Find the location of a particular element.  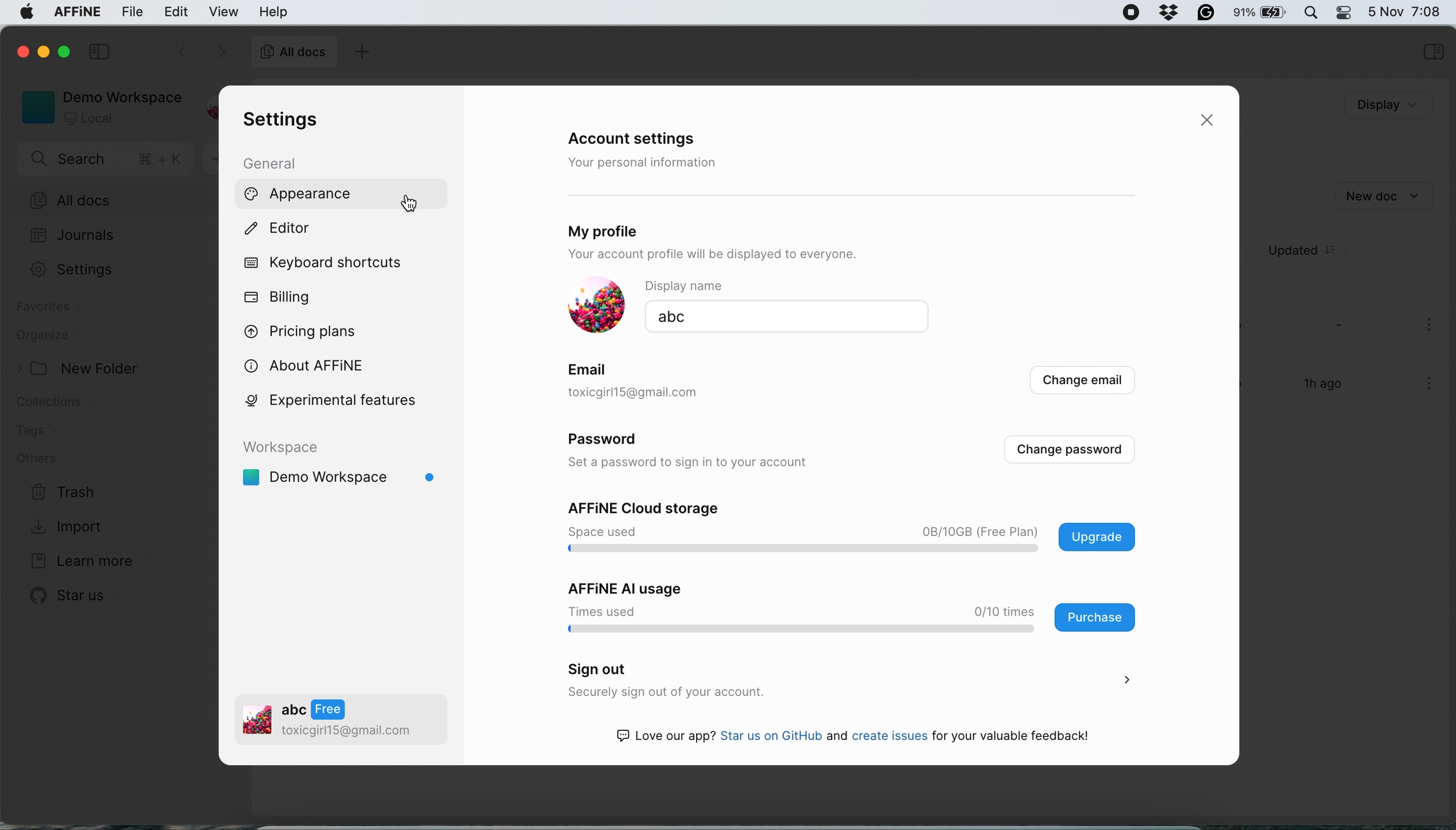

change email is located at coordinates (1084, 380).